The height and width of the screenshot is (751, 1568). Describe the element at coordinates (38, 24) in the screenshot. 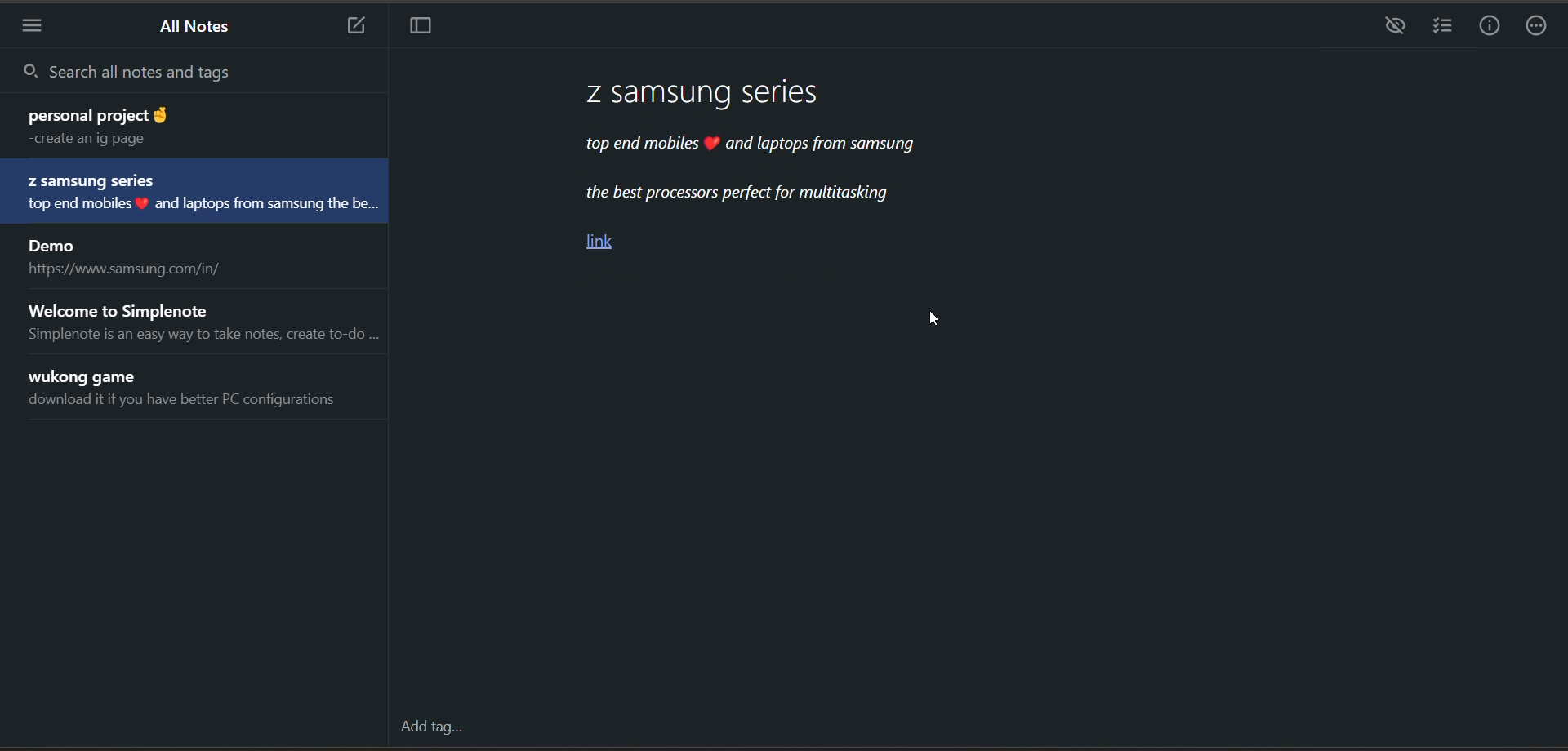

I see `menu` at that location.